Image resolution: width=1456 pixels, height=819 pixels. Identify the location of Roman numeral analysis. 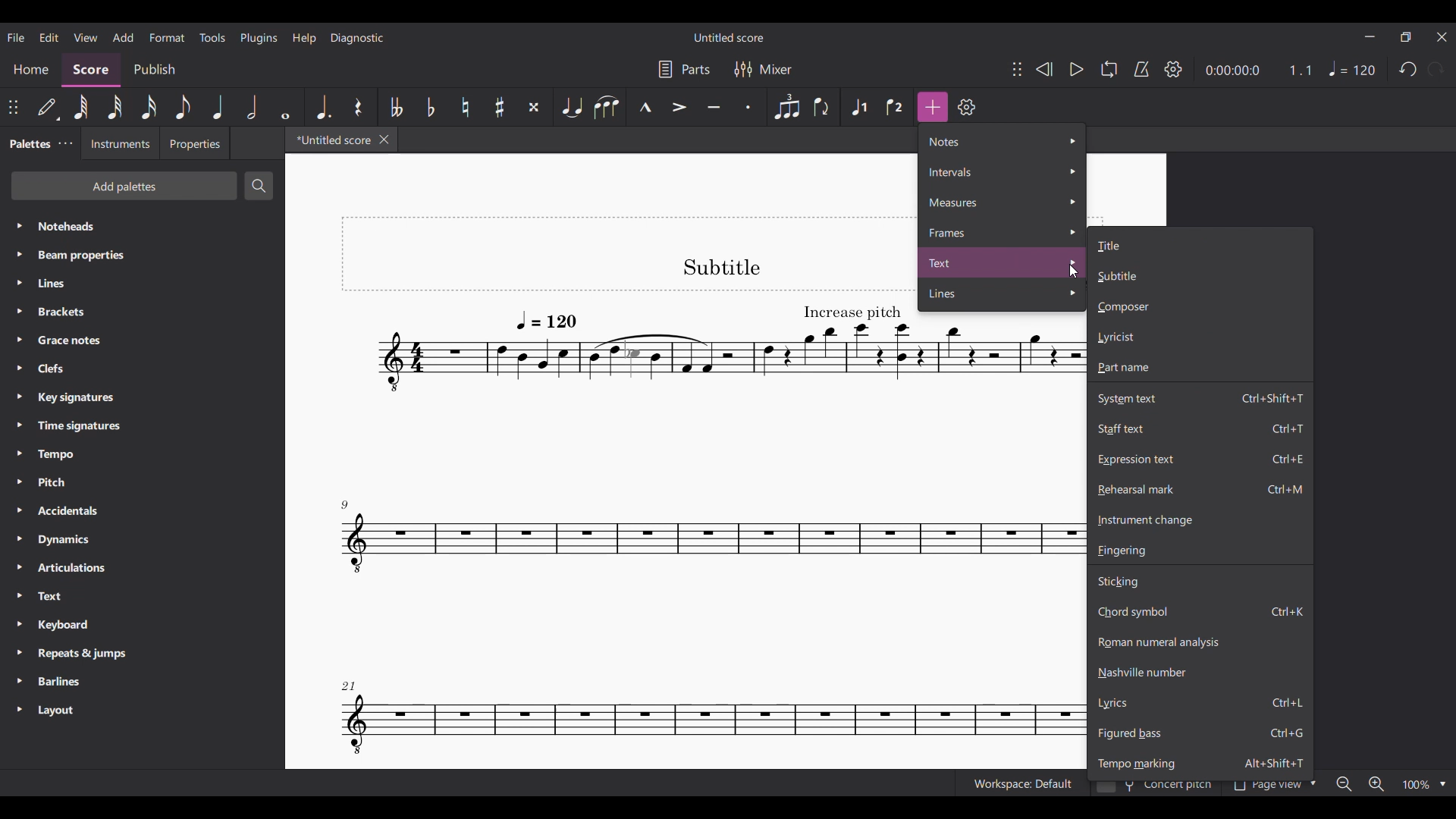
(1200, 642).